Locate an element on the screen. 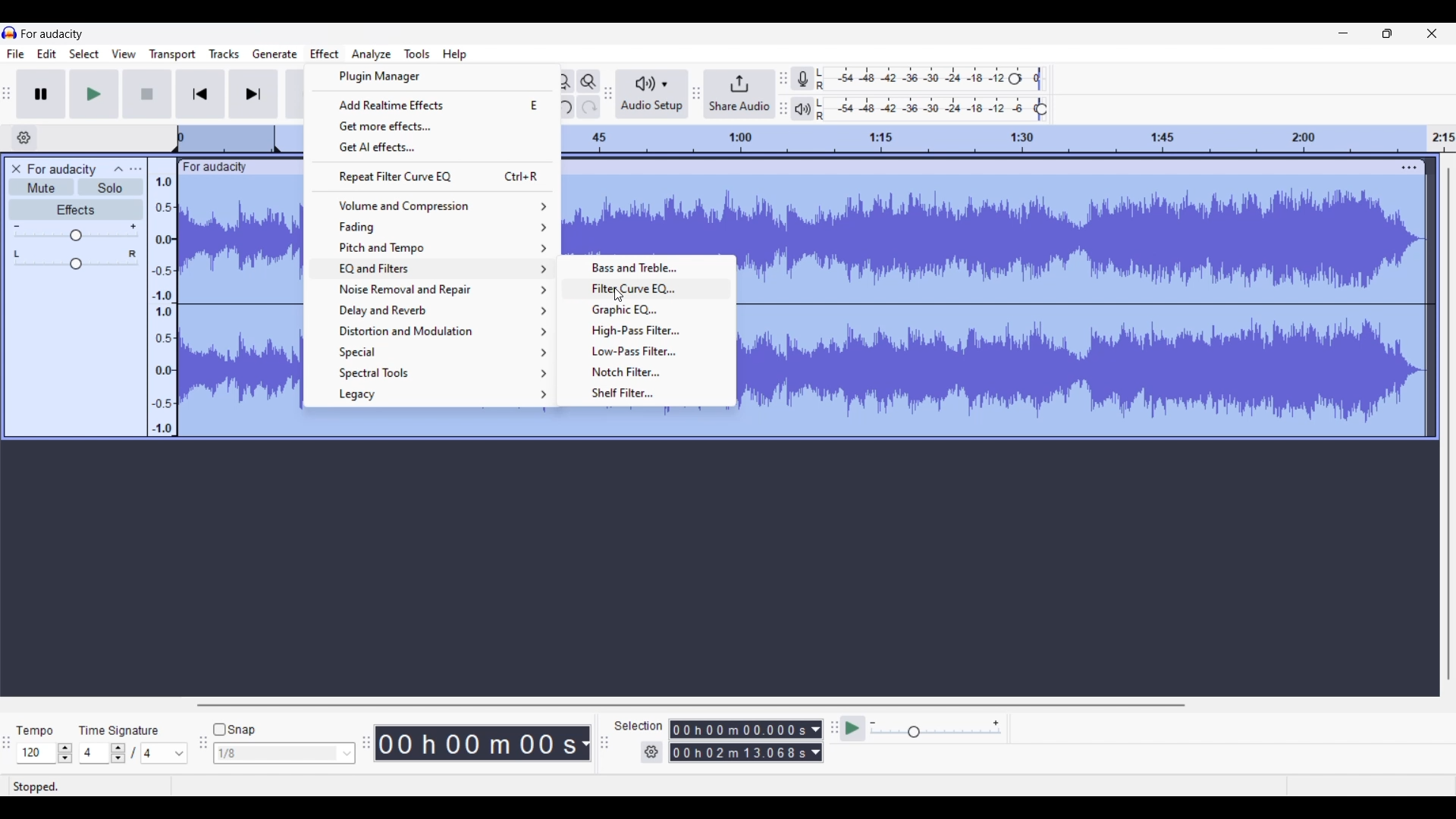 This screenshot has height=819, width=1456. Open menu is located at coordinates (135, 168).